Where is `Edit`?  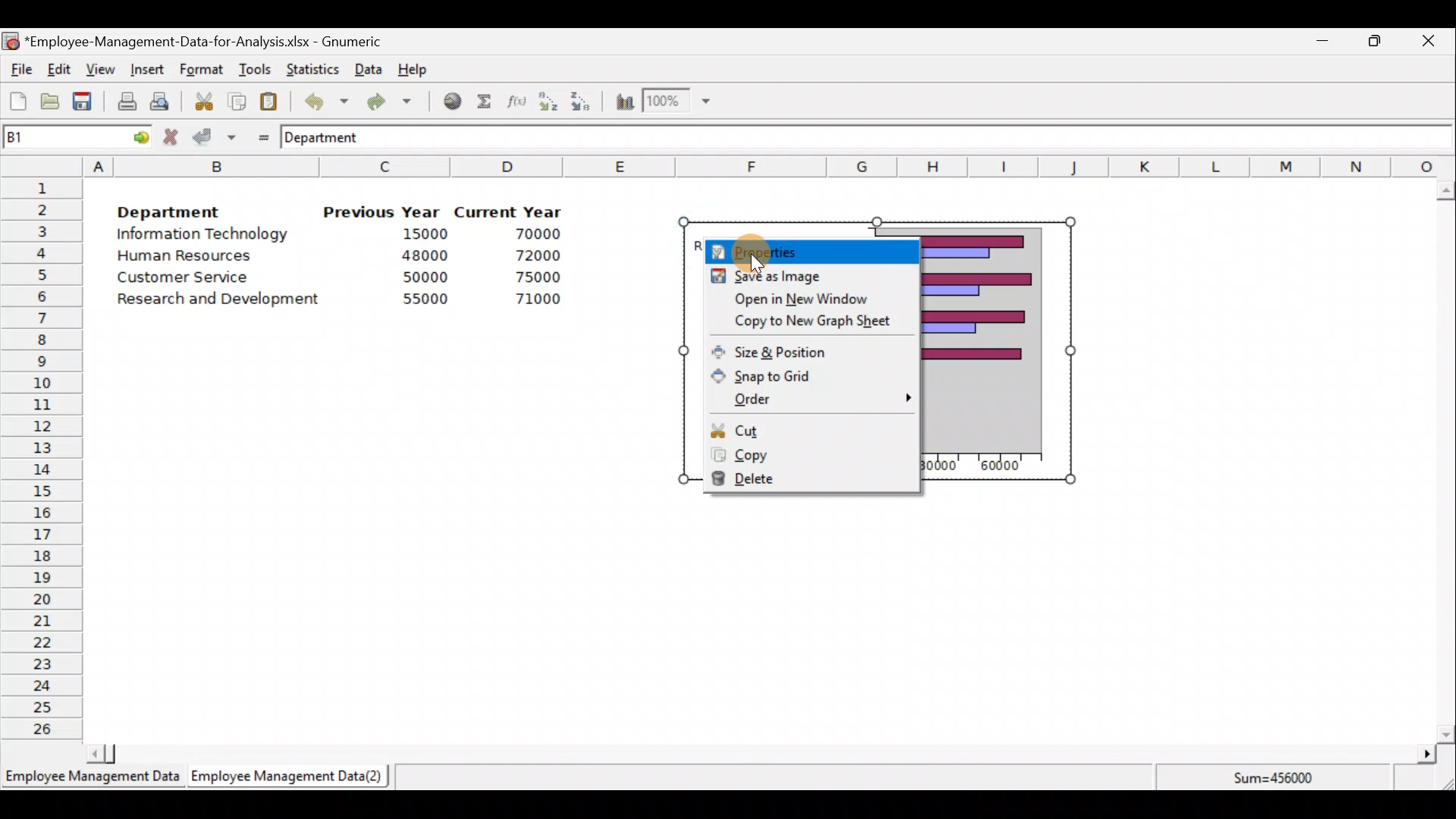 Edit is located at coordinates (60, 71).